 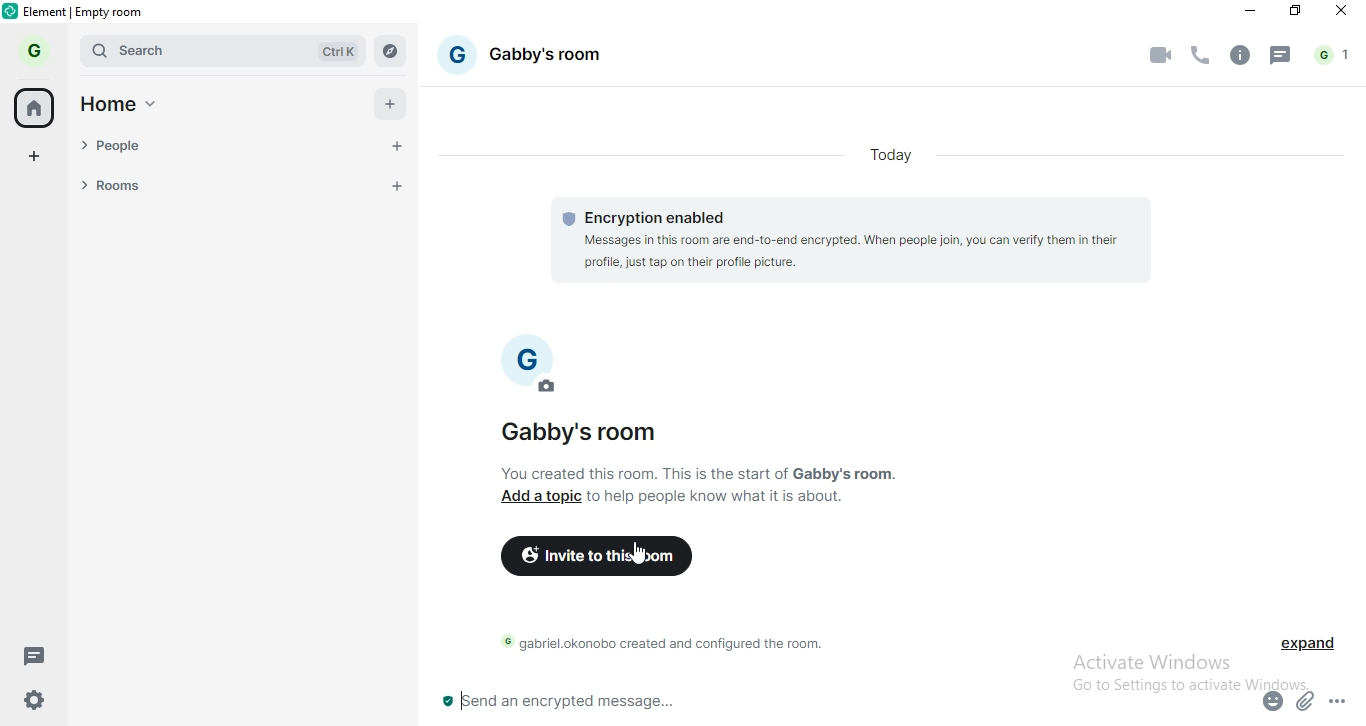 What do you see at coordinates (679, 642) in the screenshot?
I see `text 2` at bounding box center [679, 642].